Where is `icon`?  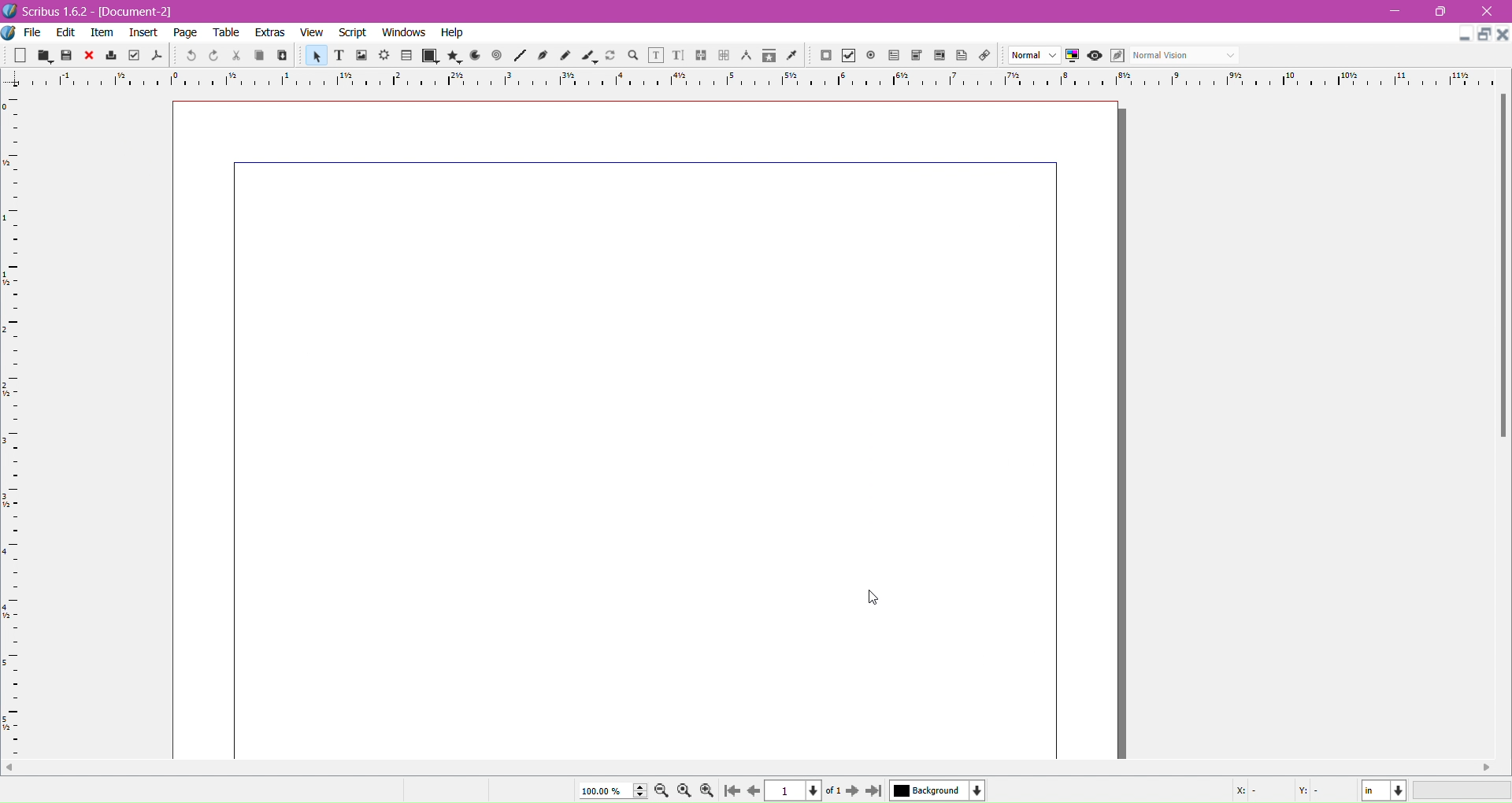
icon is located at coordinates (1093, 56).